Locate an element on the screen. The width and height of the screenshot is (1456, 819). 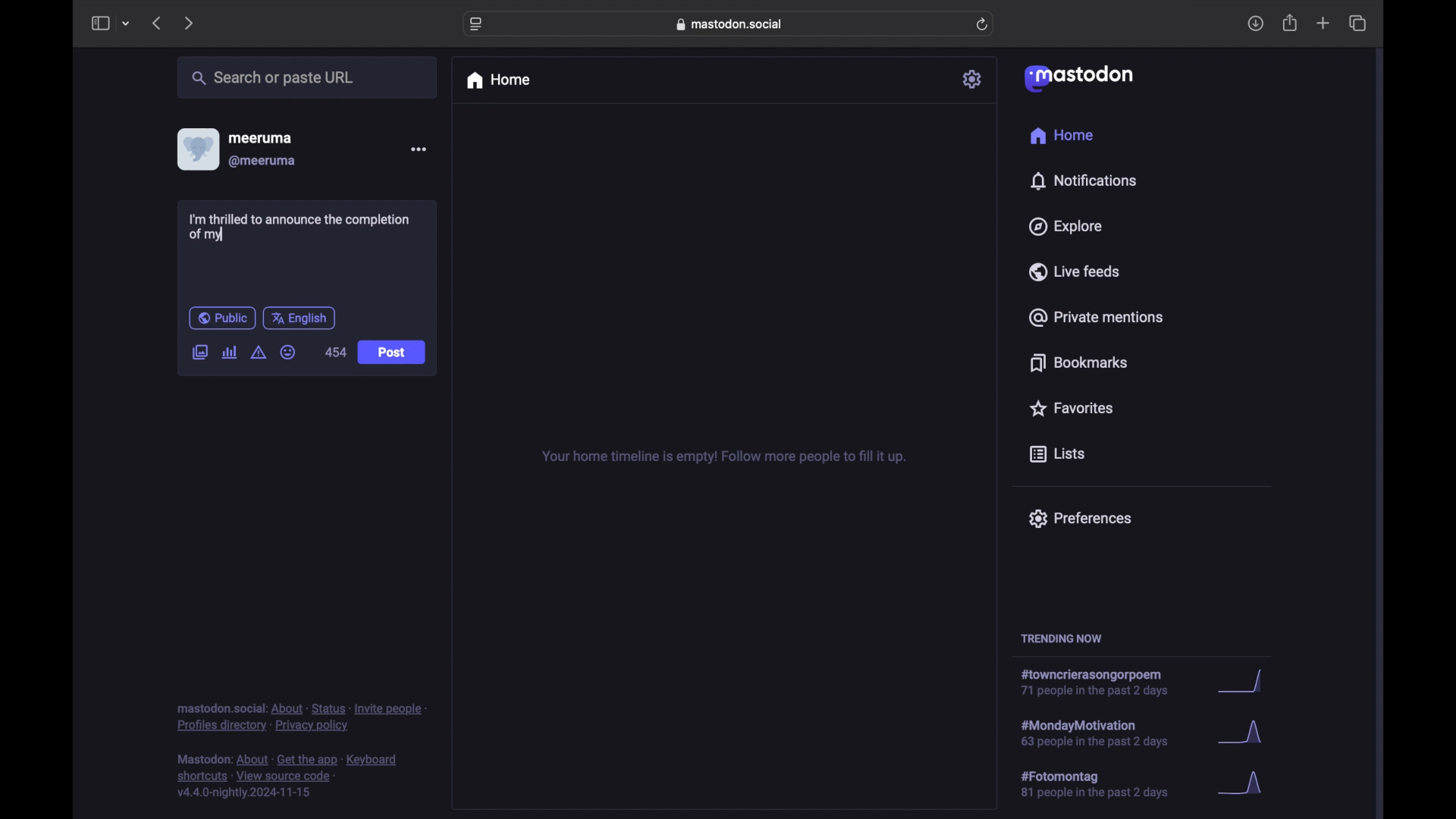
new tab overview is located at coordinates (1323, 23).